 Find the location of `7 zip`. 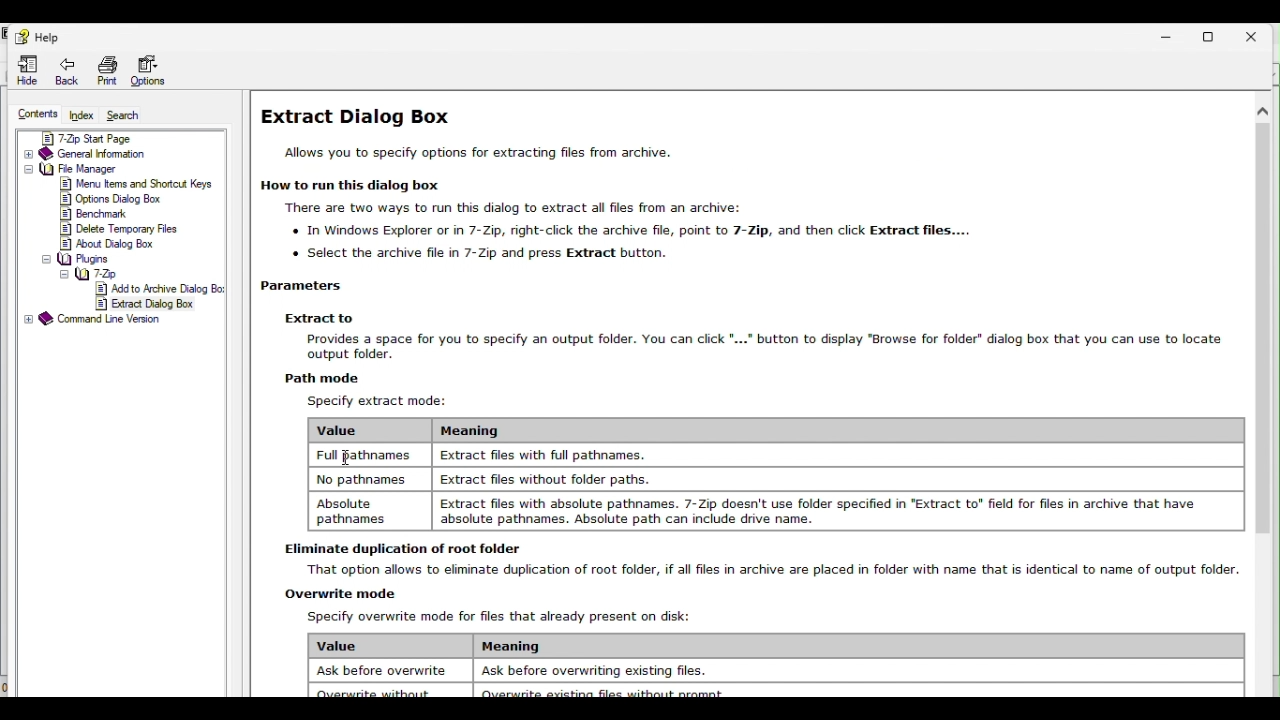

7 zip is located at coordinates (128, 273).